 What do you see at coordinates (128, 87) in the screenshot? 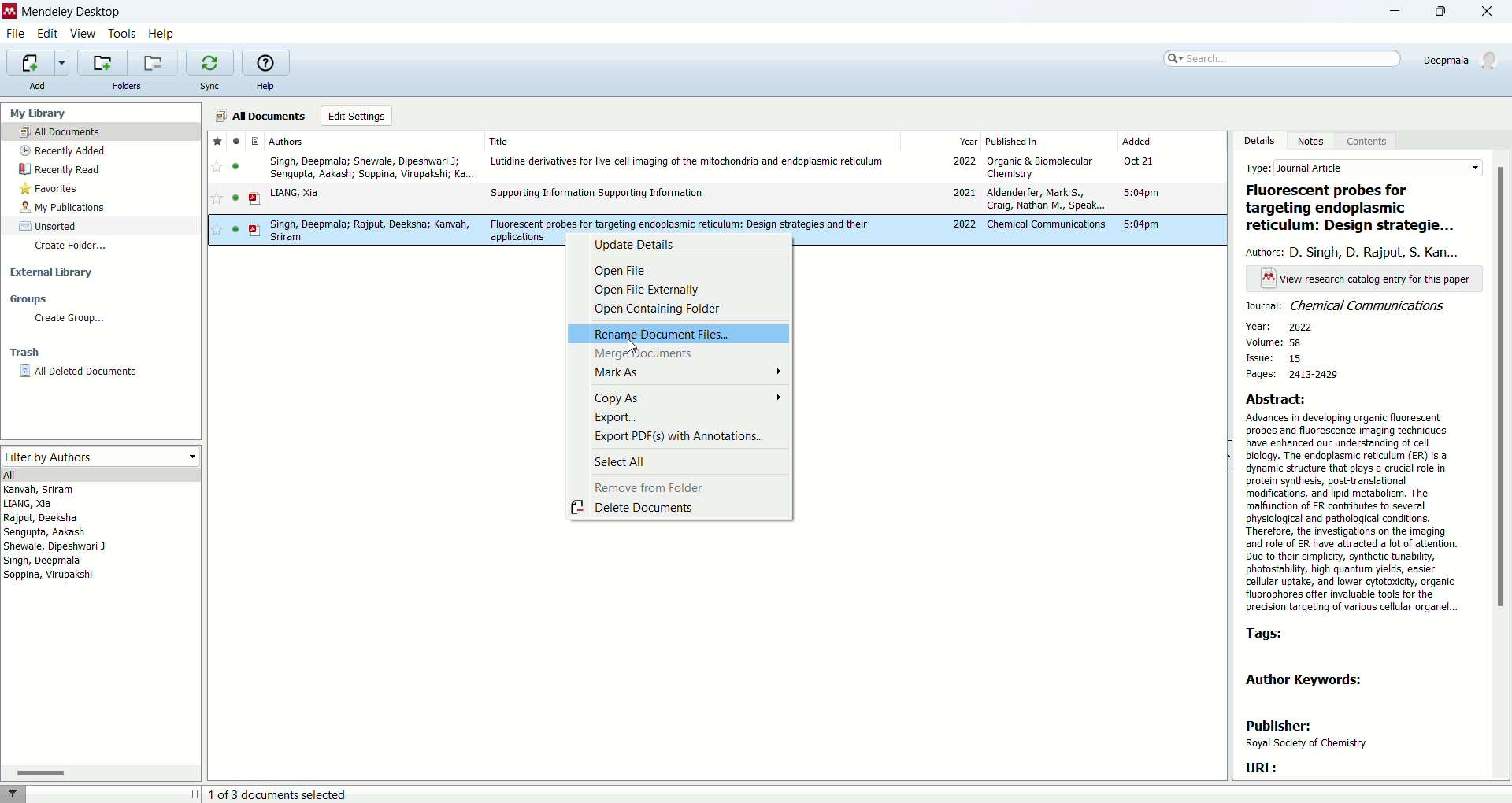
I see `folders` at bounding box center [128, 87].